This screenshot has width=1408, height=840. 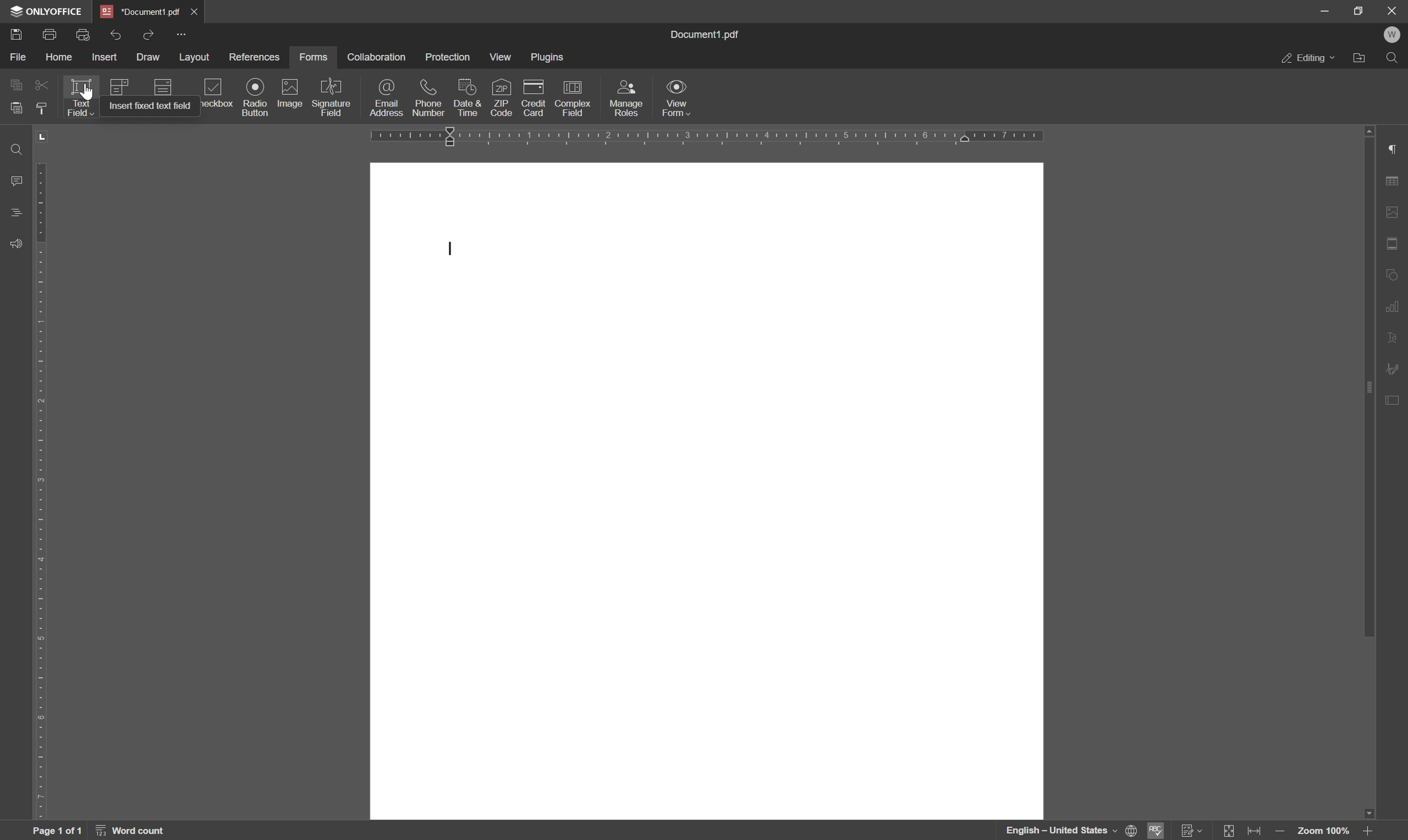 What do you see at coordinates (1230, 832) in the screenshot?
I see `fit to page` at bounding box center [1230, 832].